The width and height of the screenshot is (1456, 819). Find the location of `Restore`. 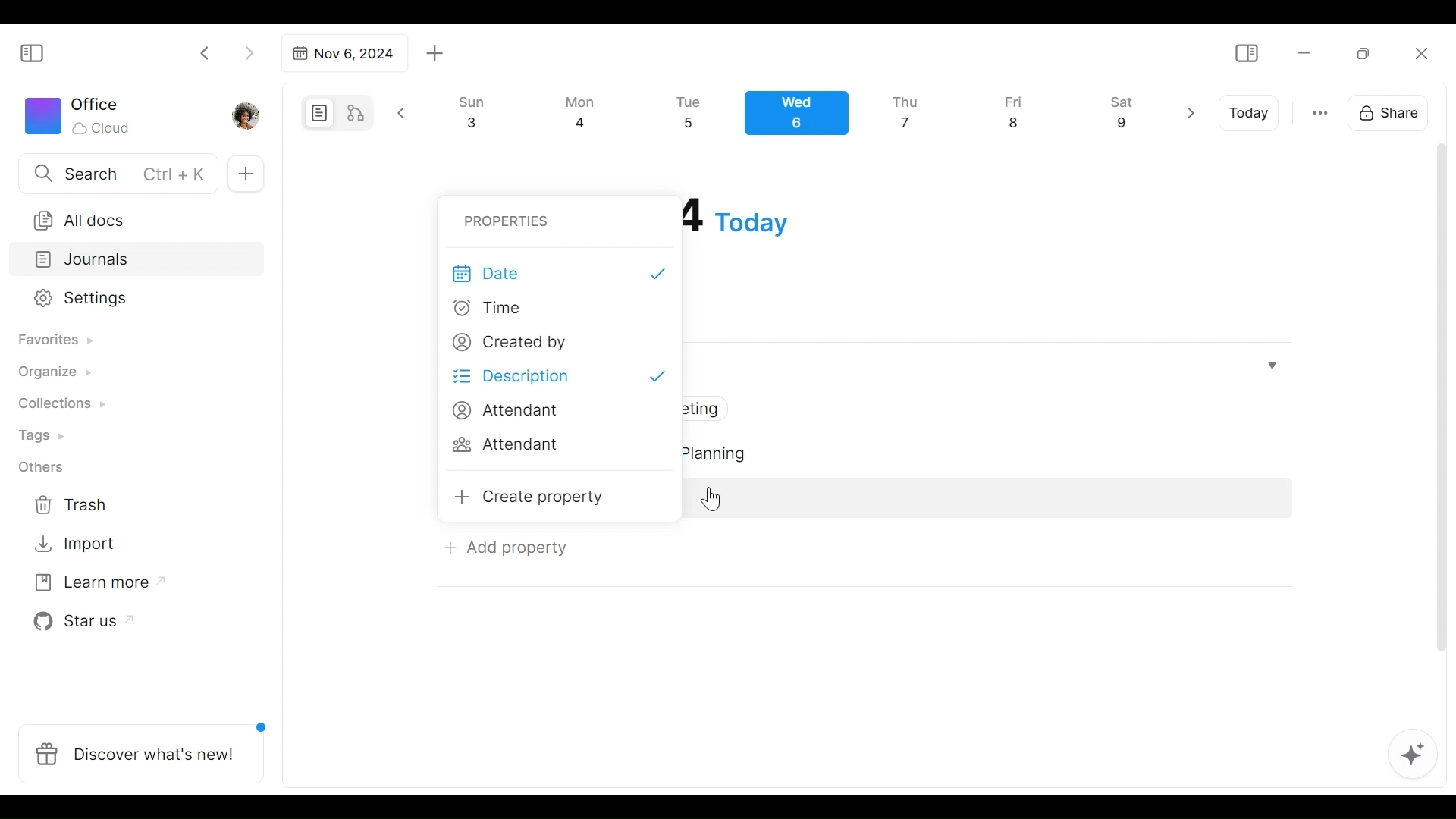

Restore is located at coordinates (1369, 52).